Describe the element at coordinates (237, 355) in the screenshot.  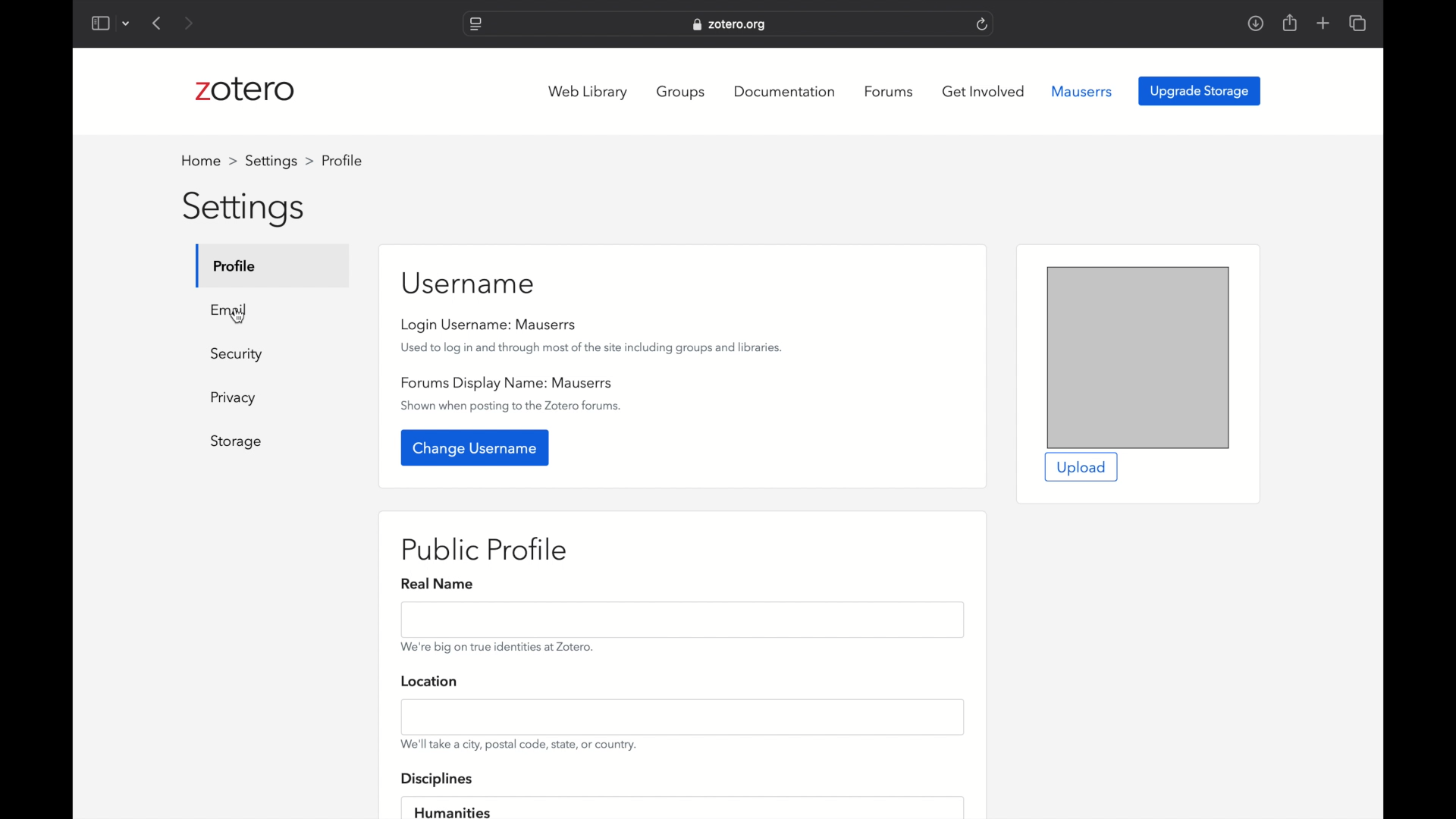
I see `security` at that location.